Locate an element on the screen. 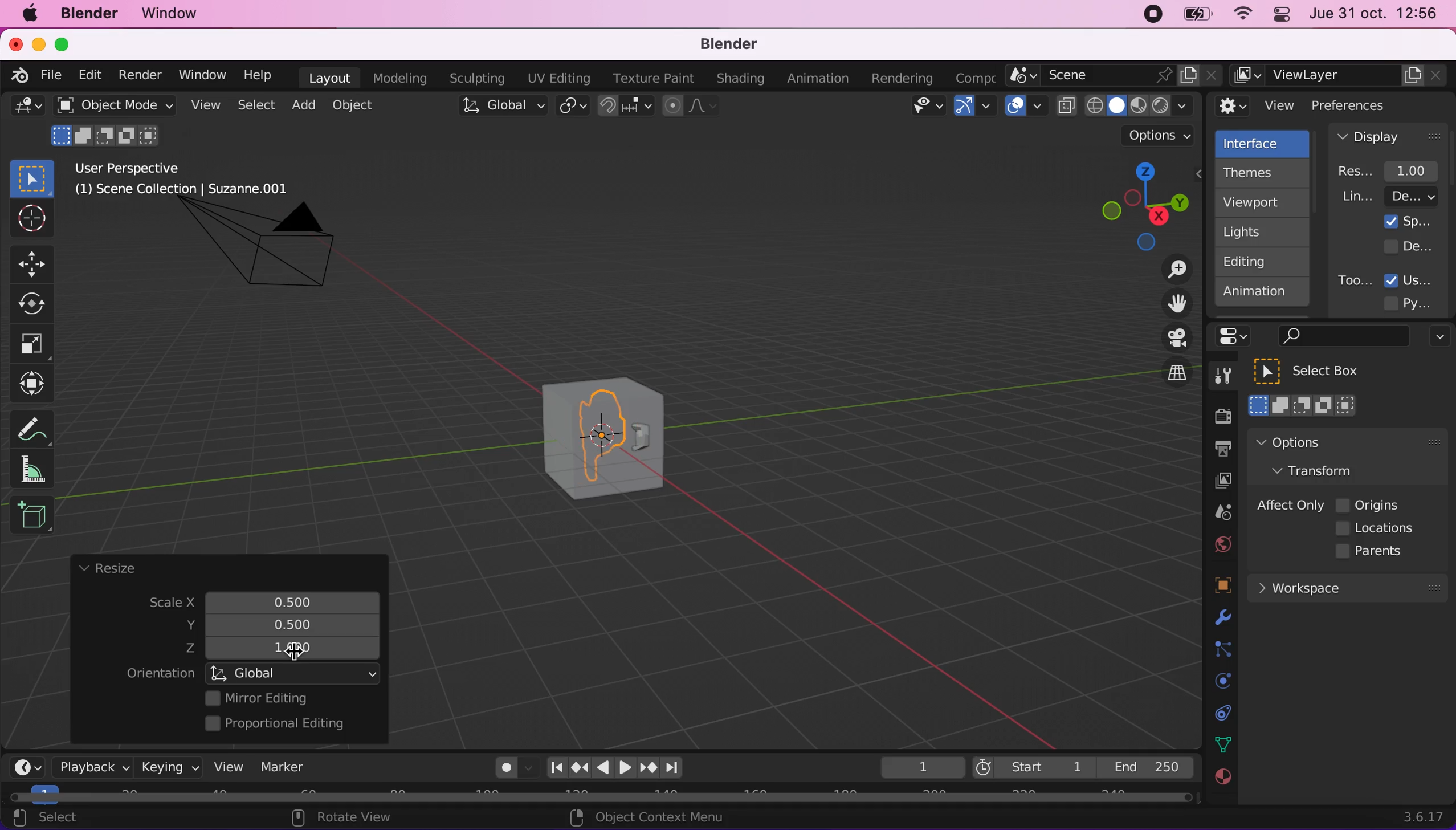 This screenshot has height=830, width=1456. blender is located at coordinates (88, 14).